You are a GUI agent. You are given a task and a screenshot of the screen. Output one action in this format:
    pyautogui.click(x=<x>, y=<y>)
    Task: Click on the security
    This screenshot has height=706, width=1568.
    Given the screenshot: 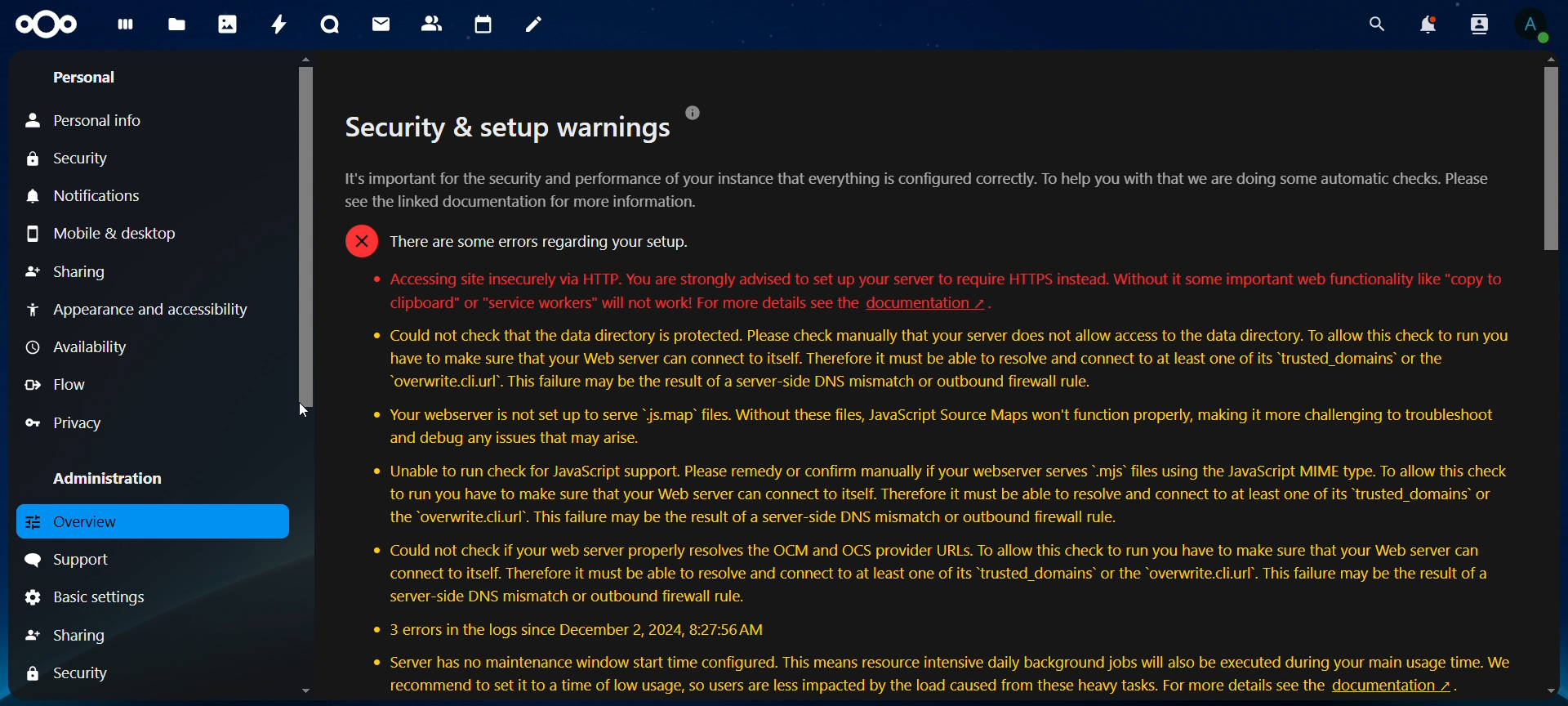 What is the action you would take?
    pyautogui.click(x=73, y=160)
    